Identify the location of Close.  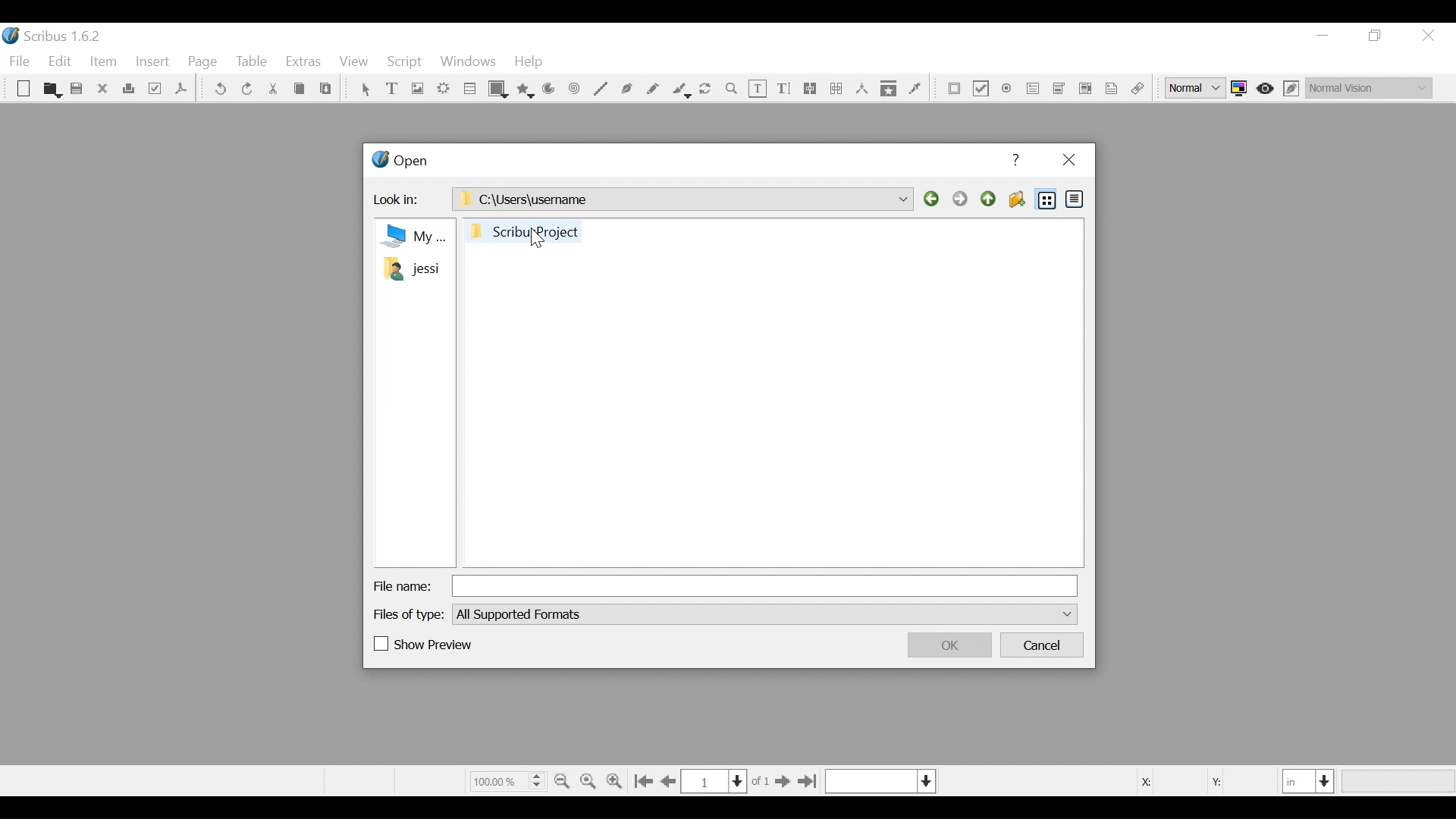
(1068, 161).